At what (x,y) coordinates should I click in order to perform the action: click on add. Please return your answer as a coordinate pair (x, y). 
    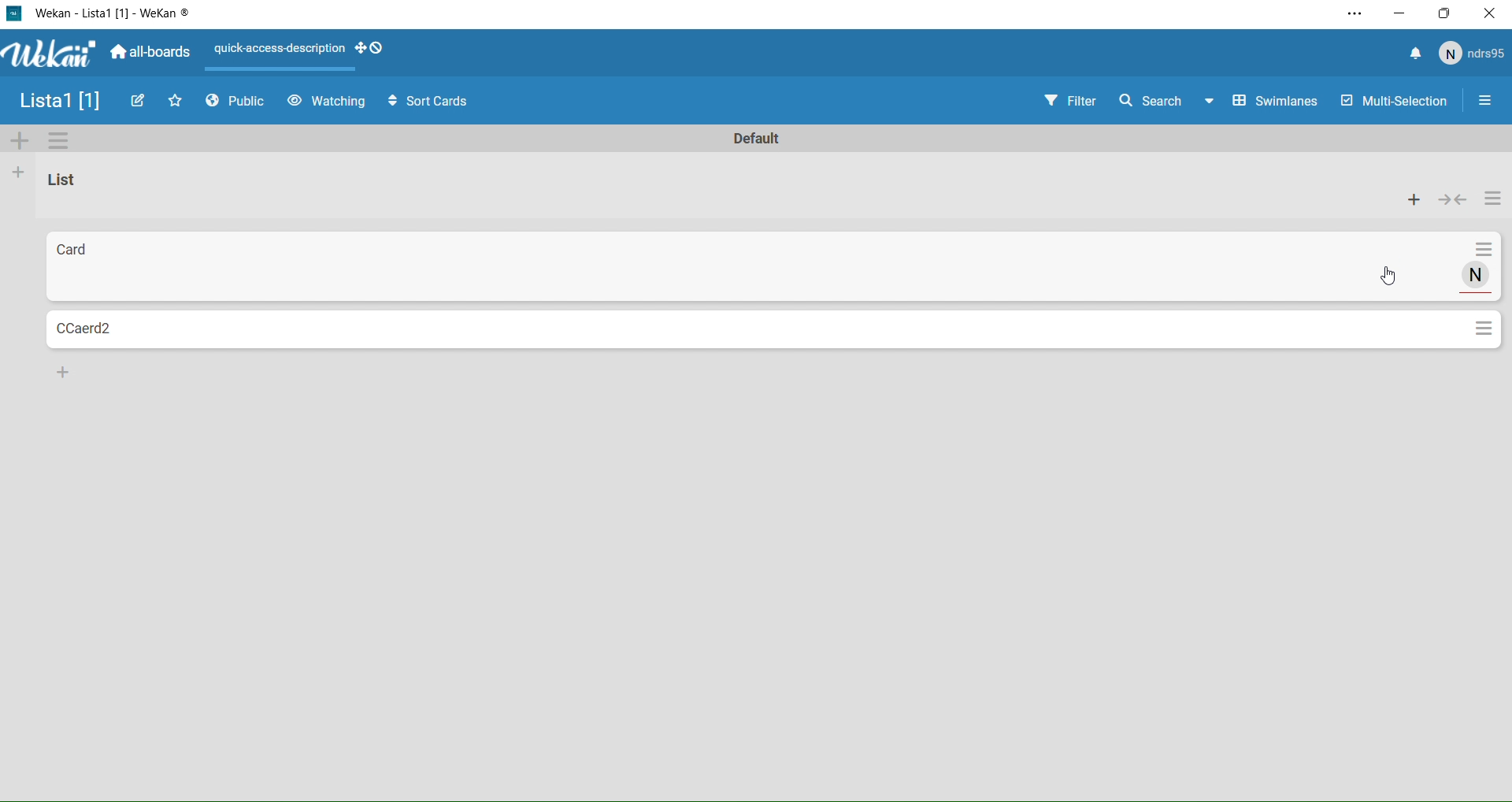
    Looking at the image, I should click on (1415, 202).